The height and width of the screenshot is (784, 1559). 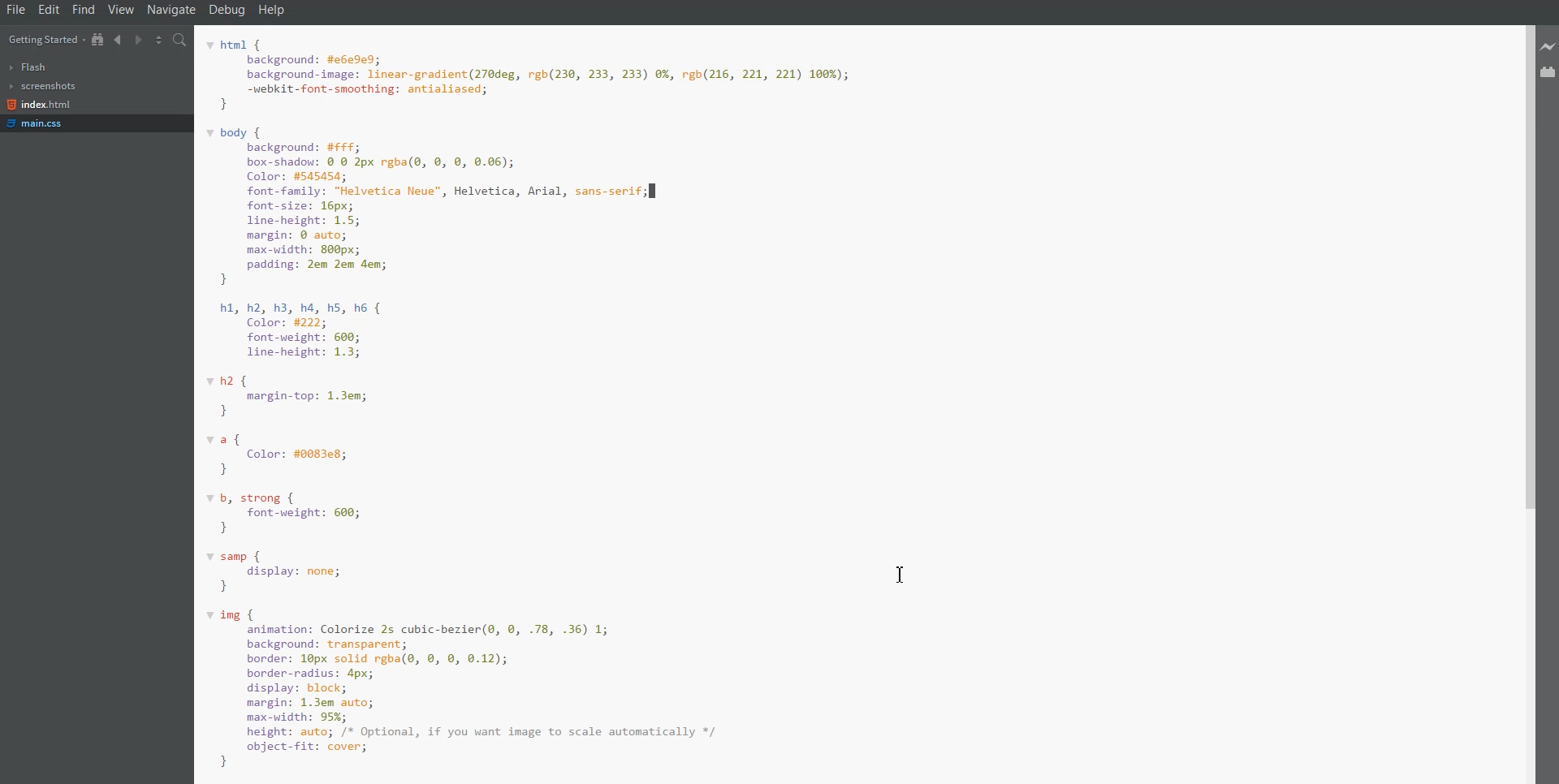 I want to click on index.html, so click(x=39, y=105).